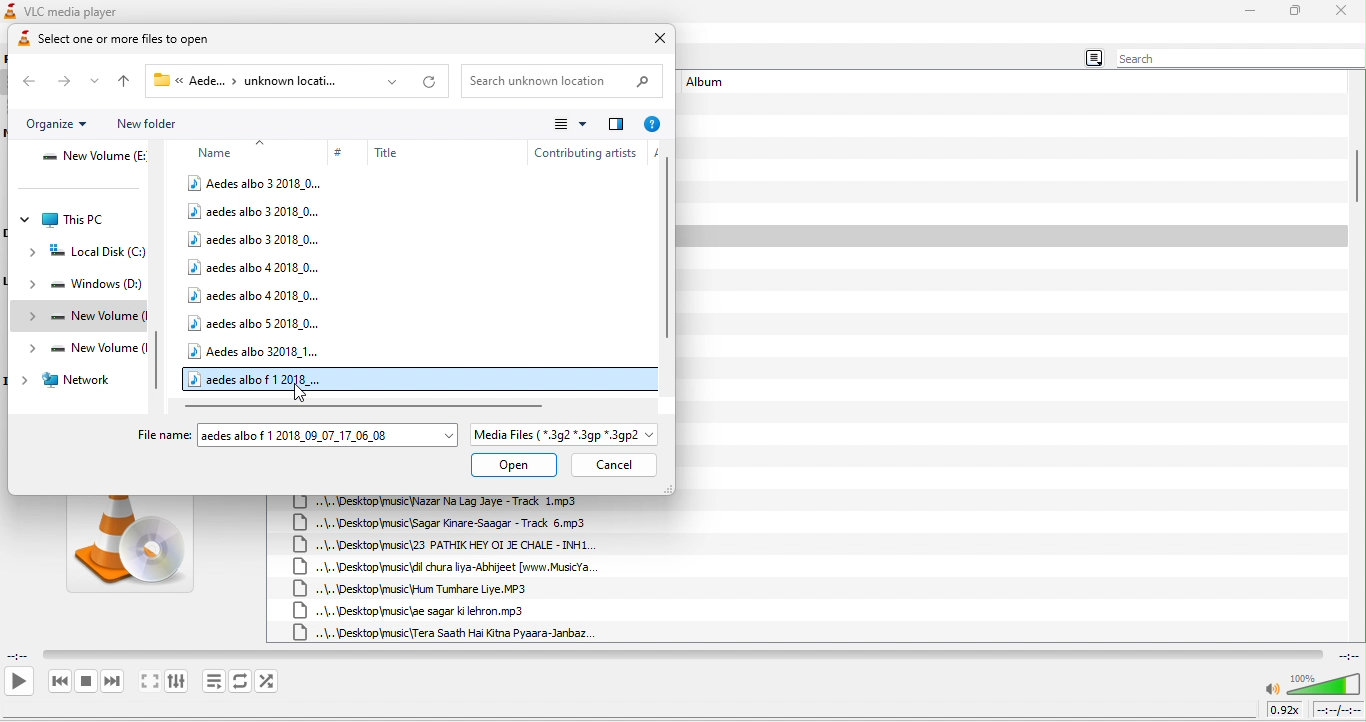  What do you see at coordinates (654, 123) in the screenshot?
I see `help` at bounding box center [654, 123].